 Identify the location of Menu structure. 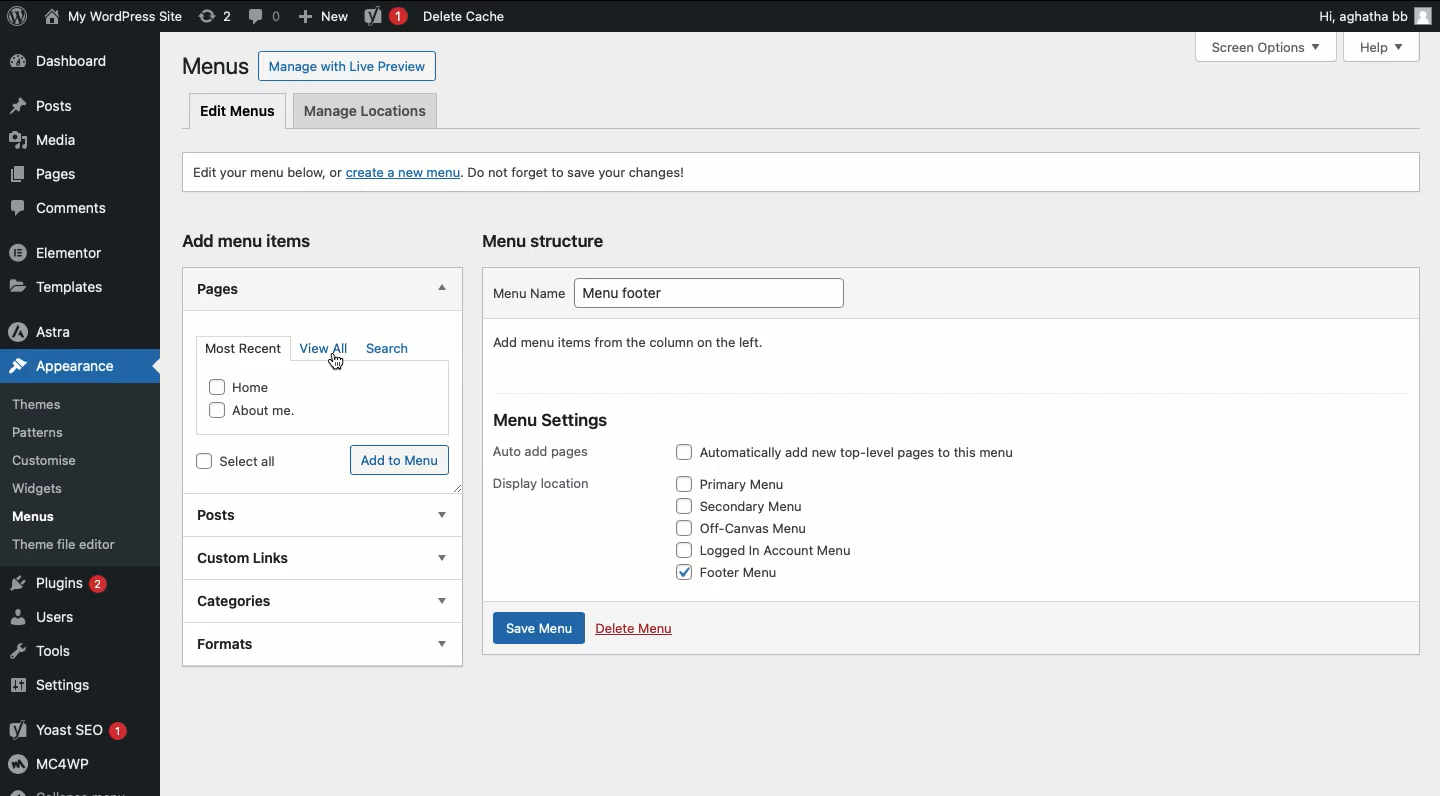
(548, 239).